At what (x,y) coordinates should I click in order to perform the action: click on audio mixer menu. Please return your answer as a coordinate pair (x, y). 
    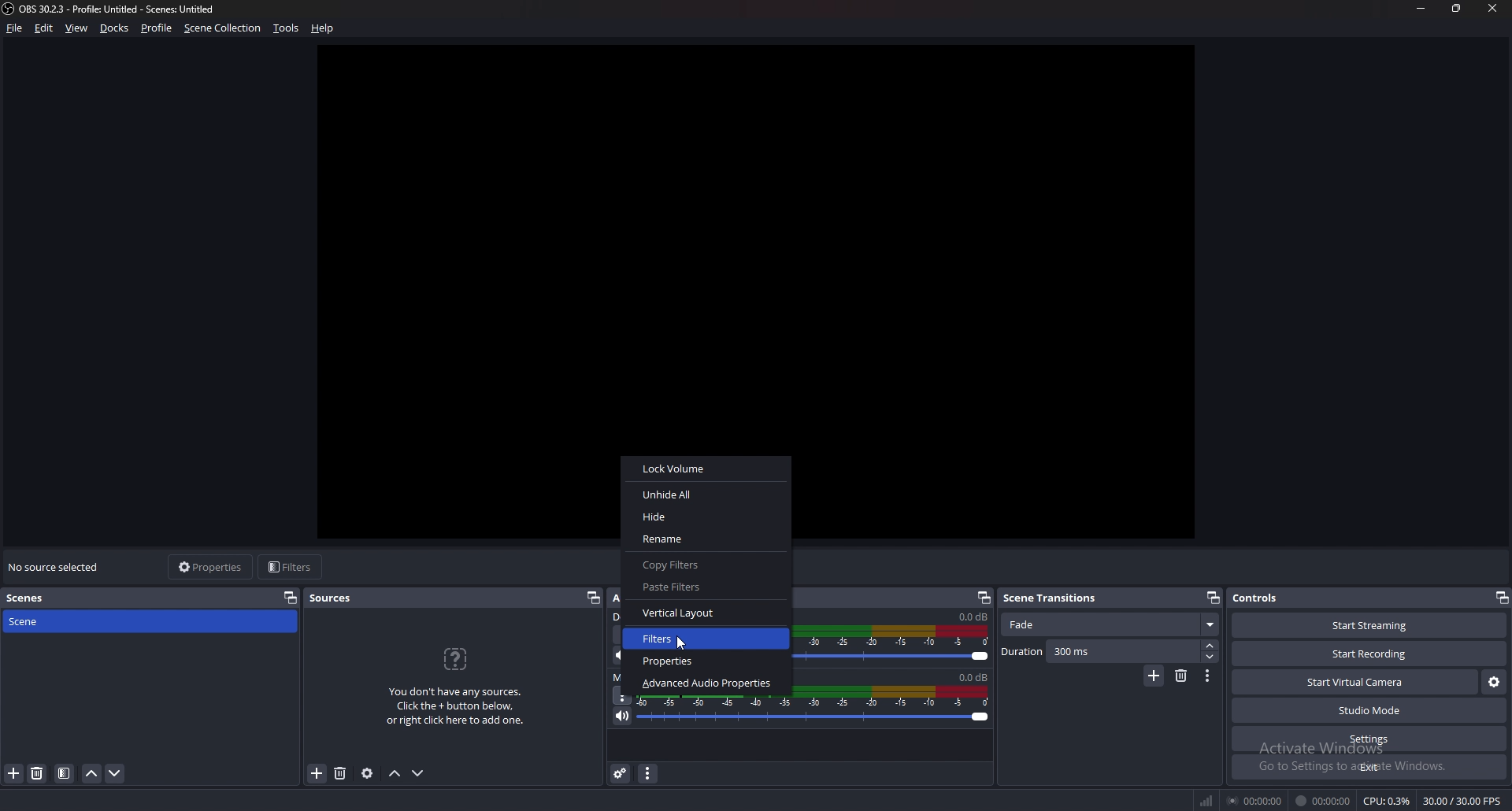
    Looking at the image, I should click on (648, 775).